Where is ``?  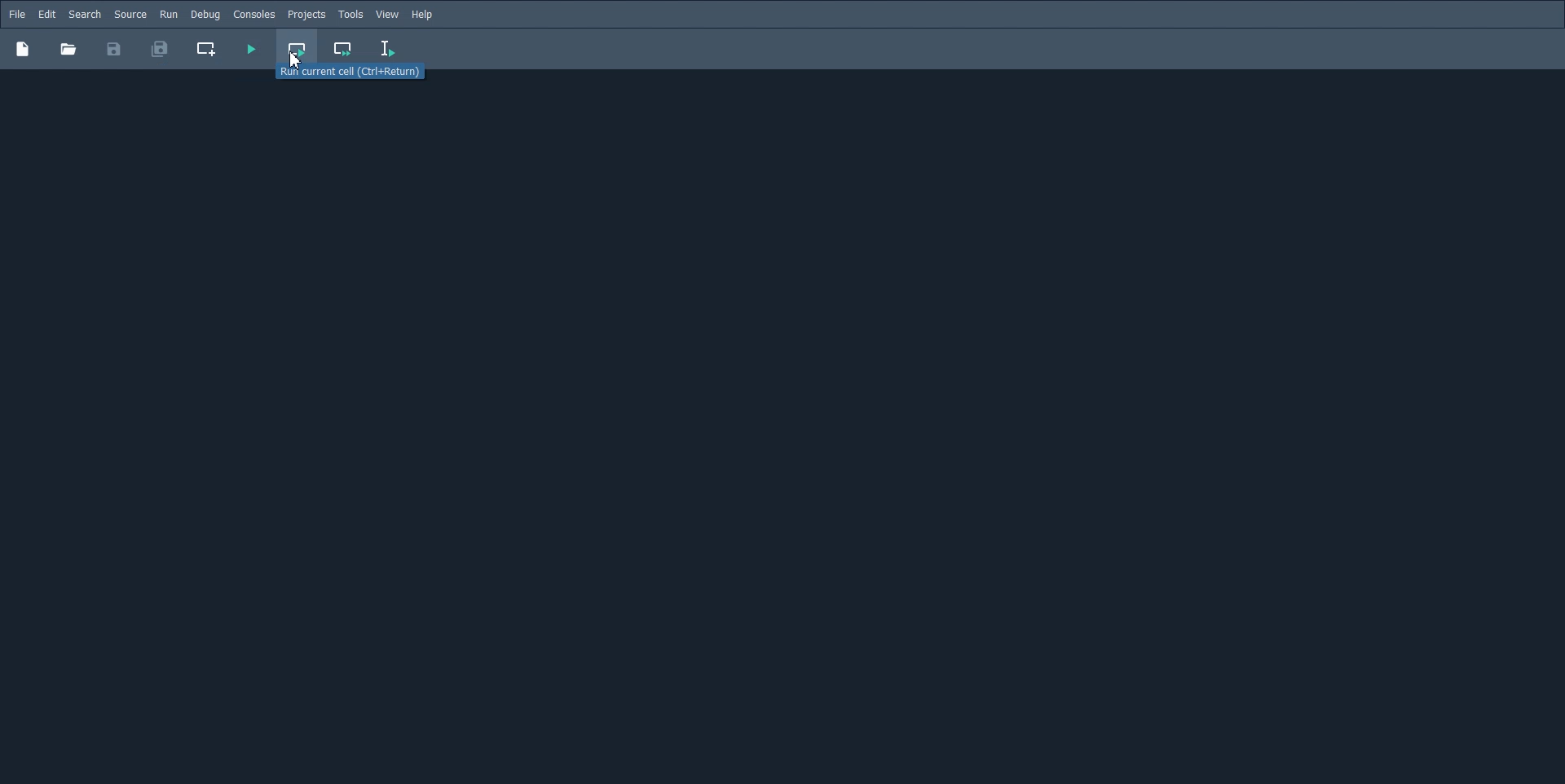
 is located at coordinates (68, 49).